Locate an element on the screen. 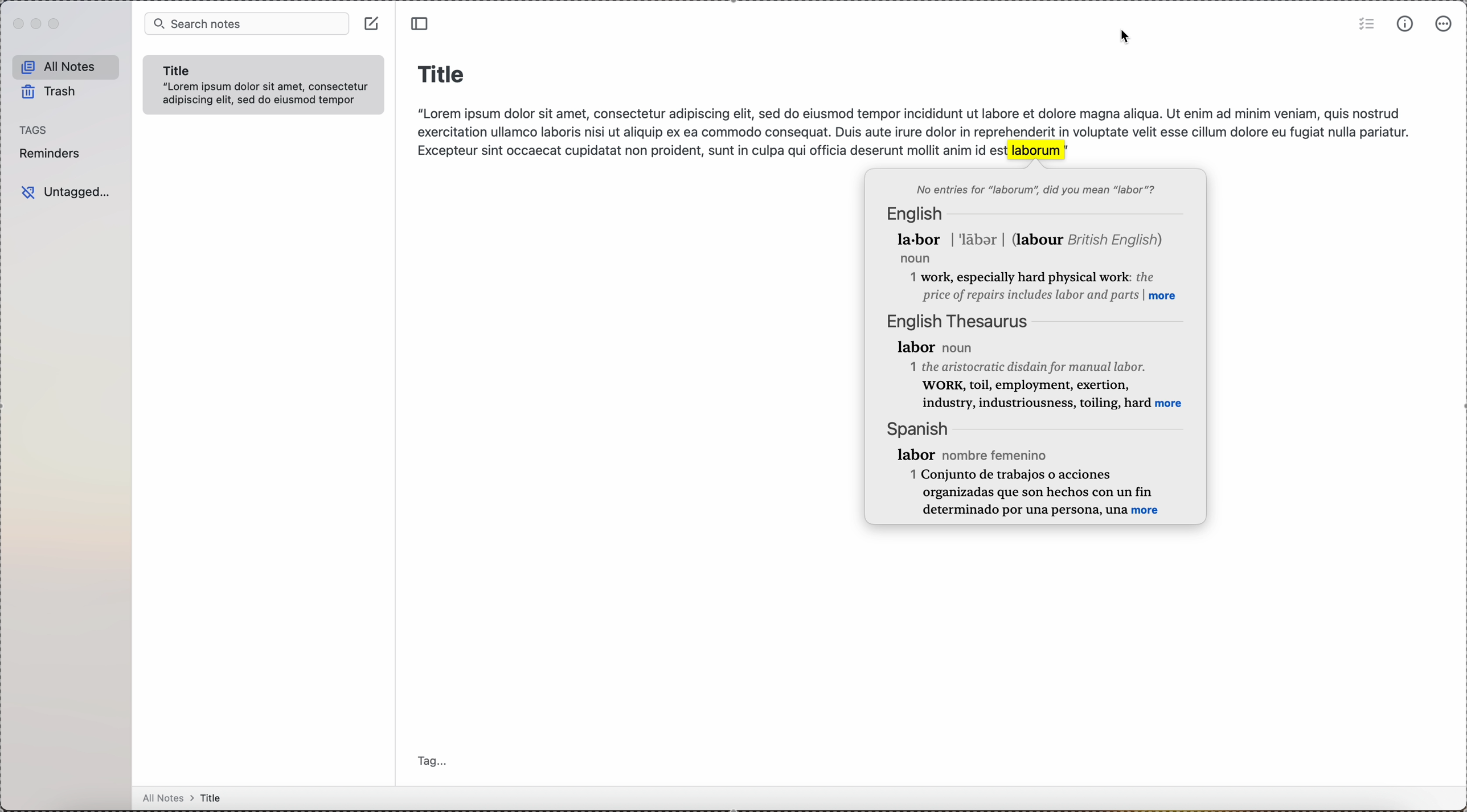  toggle sidebar is located at coordinates (423, 23).